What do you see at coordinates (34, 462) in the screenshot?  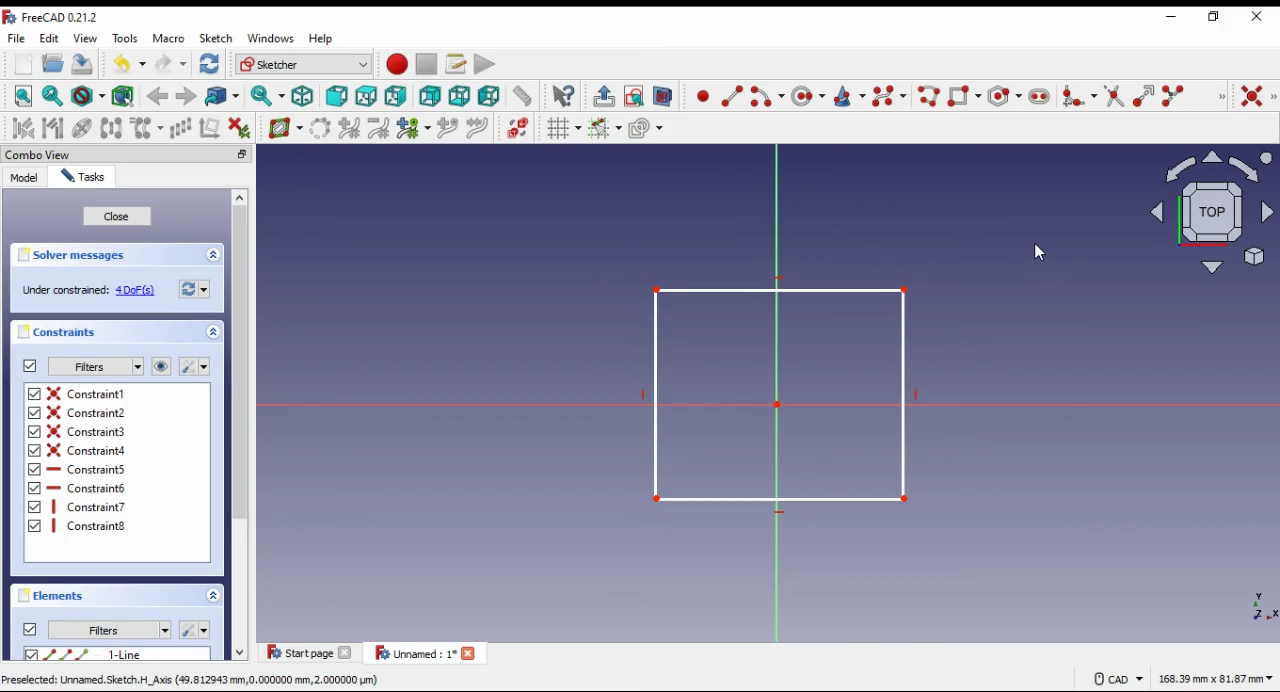 I see `checkbox` at bounding box center [34, 462].